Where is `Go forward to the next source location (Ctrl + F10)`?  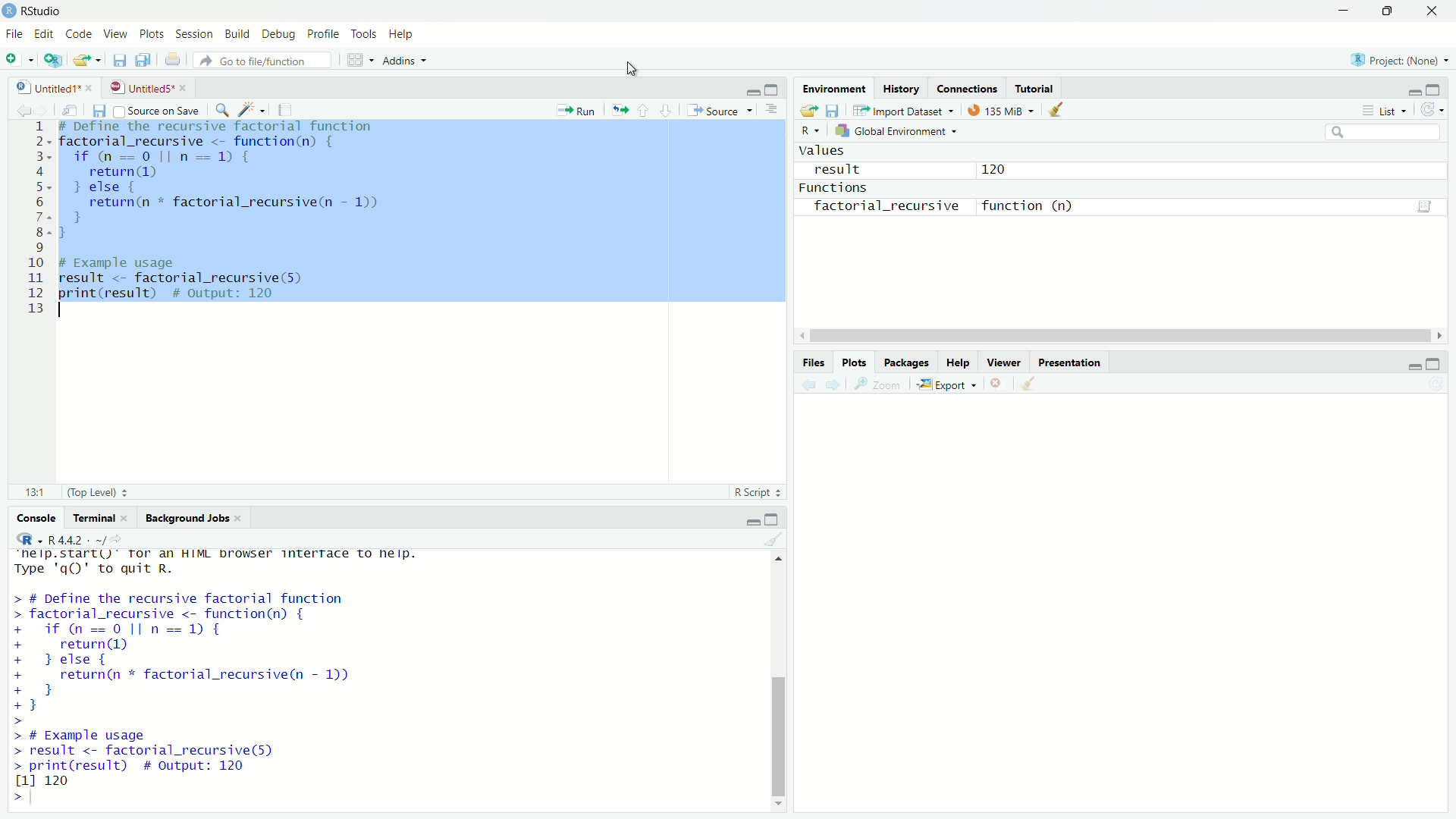 Go forward to the next source location (Ctrl + F10) is located at coordinates (47, 109).